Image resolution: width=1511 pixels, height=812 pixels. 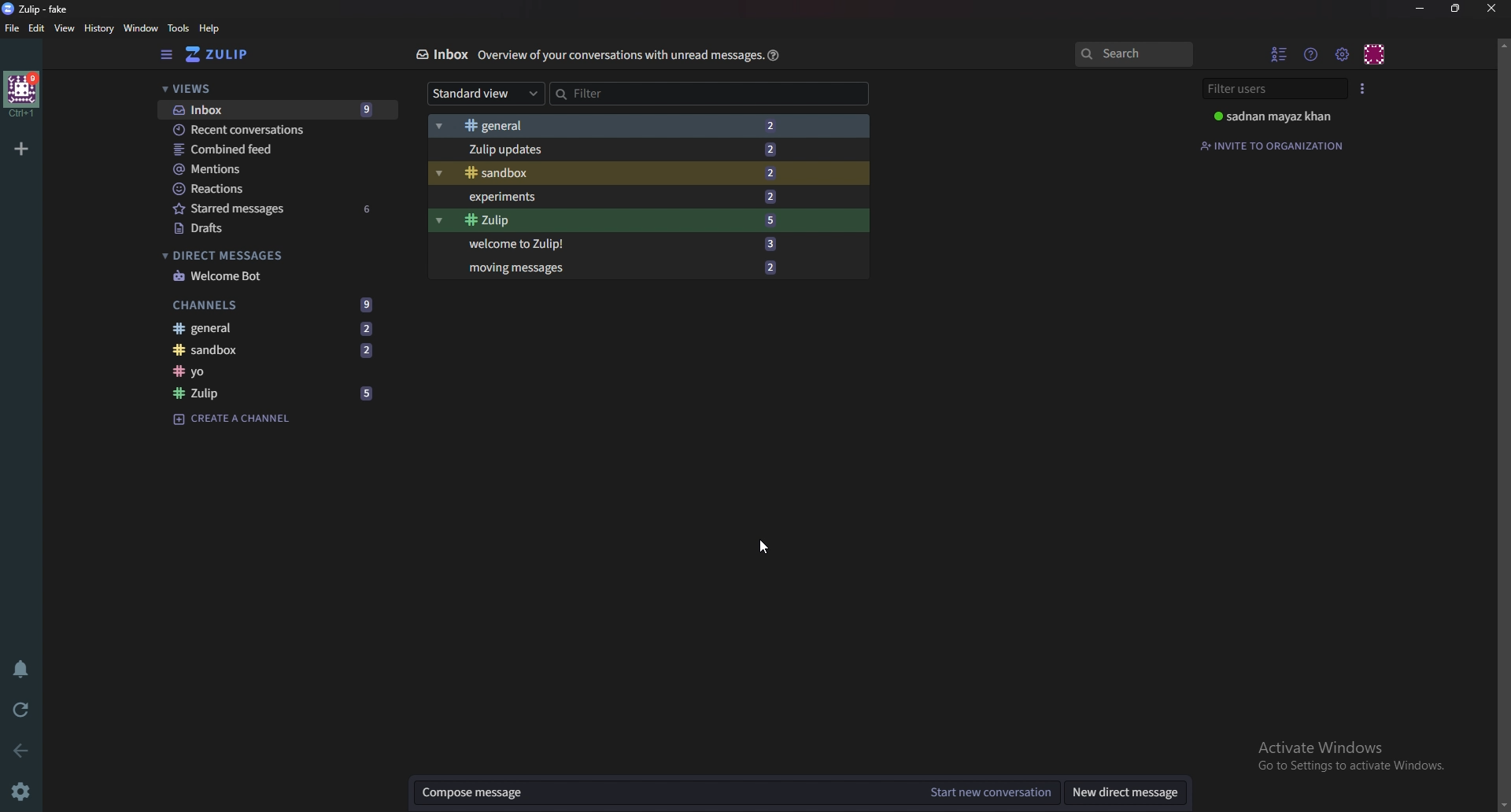 What do you see at coordinates (1310, 54) in the screenshot?
I see `Help menu` at bounding box center [1310, 54].